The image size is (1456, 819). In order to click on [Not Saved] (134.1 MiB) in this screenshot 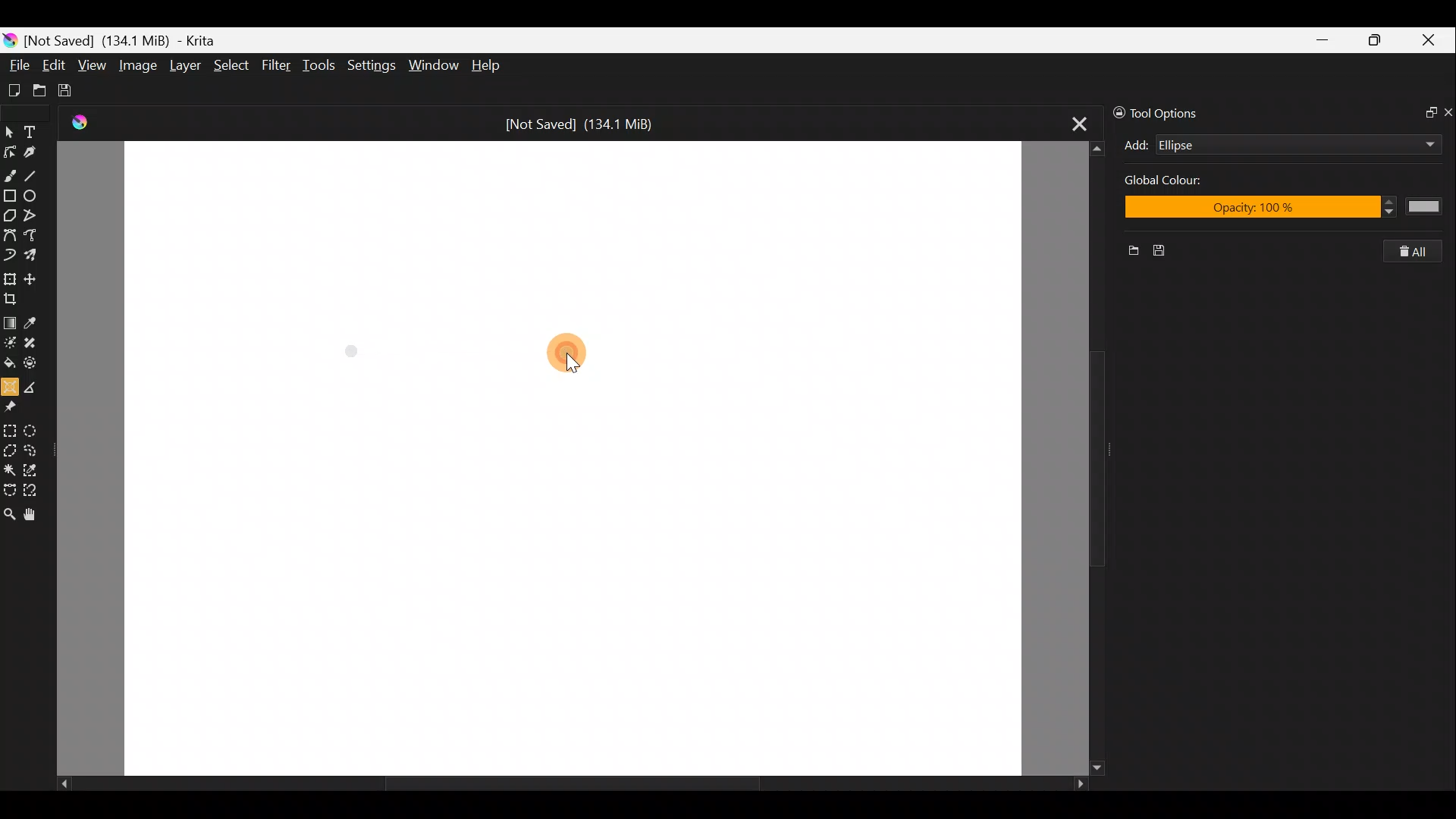, I will do `click(587, 122)`.